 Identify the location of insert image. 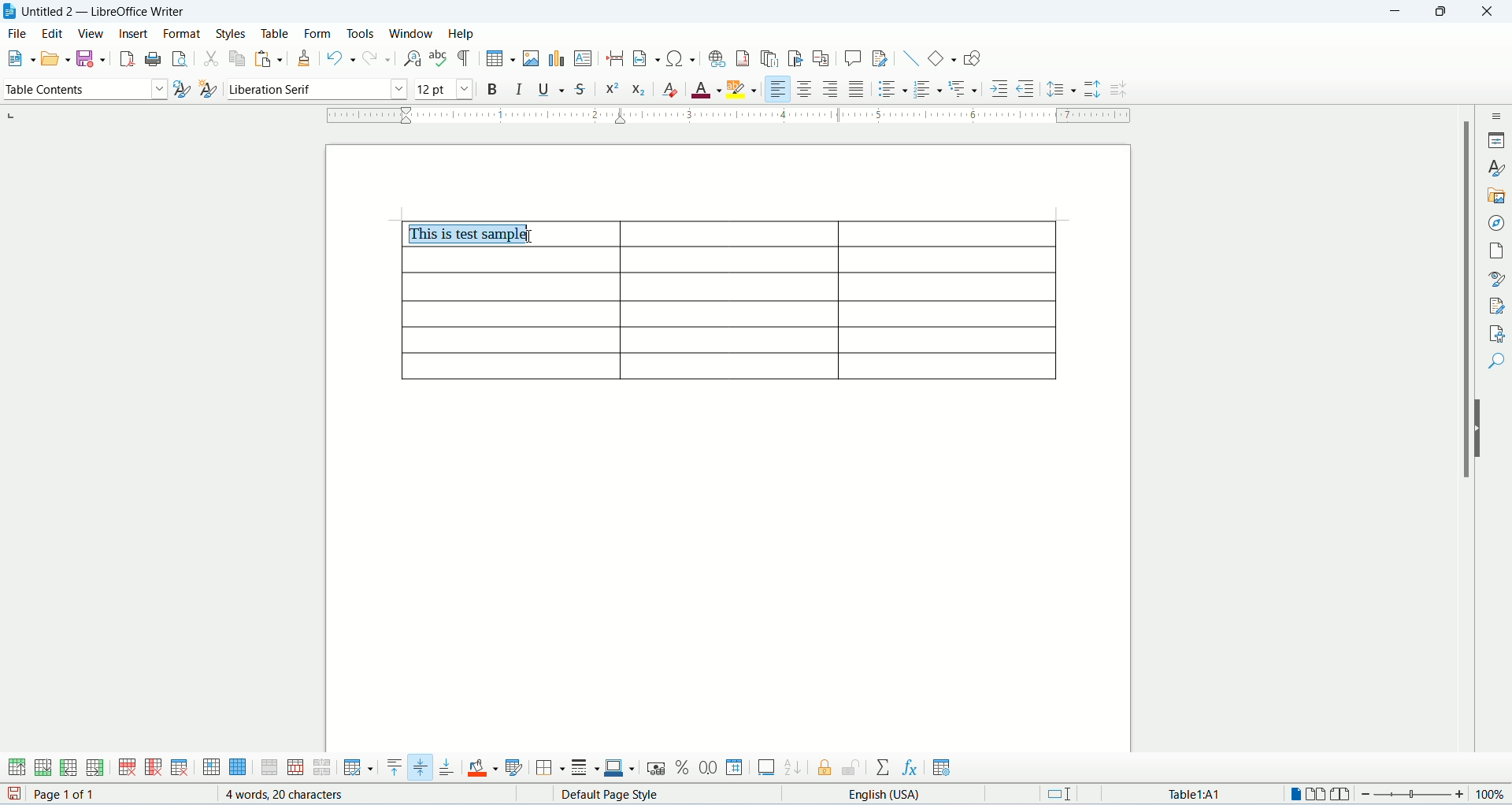
(532, 59).